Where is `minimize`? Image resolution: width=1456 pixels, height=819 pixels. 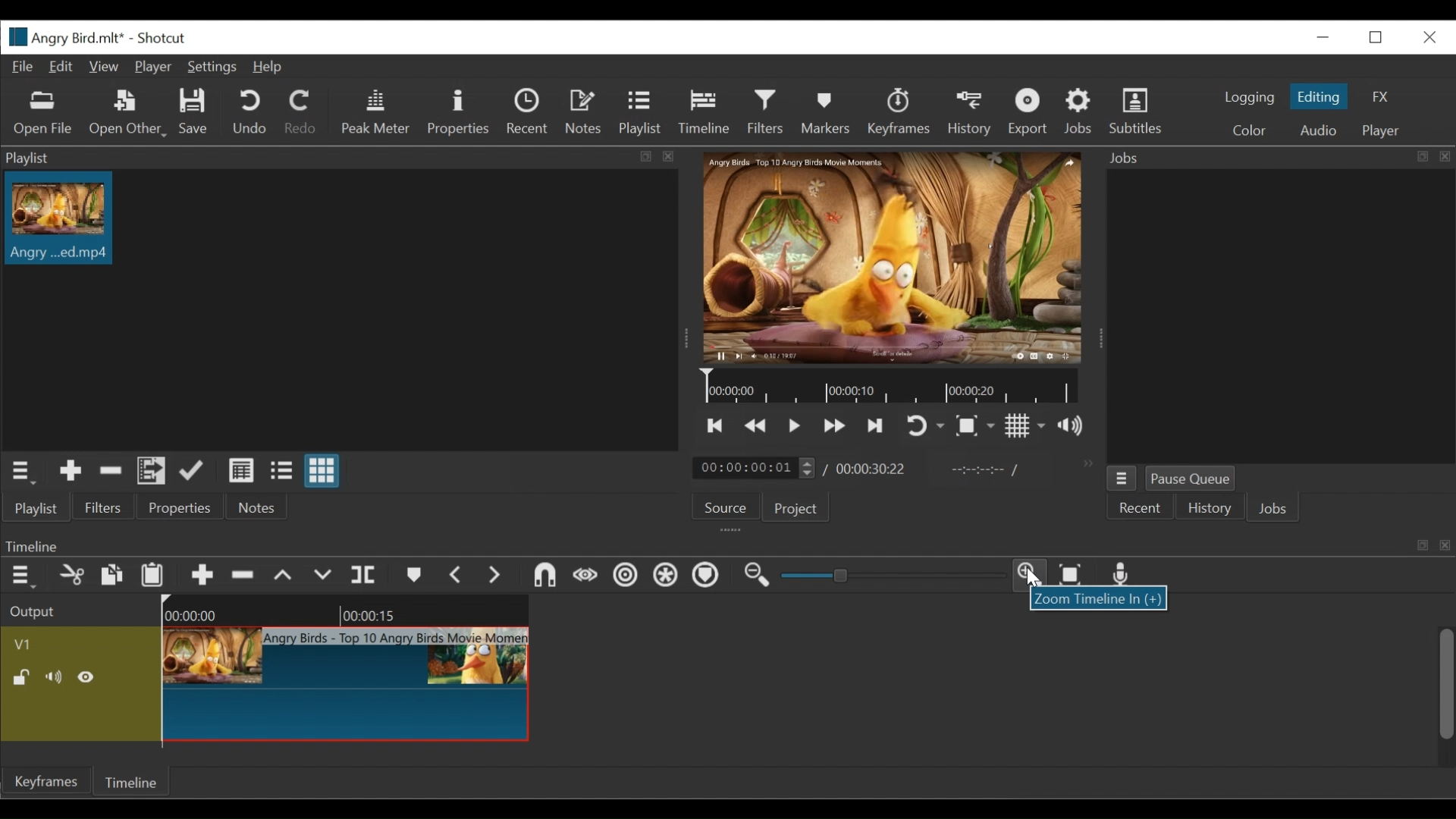 minimize is located at coordinates (1325, 36).